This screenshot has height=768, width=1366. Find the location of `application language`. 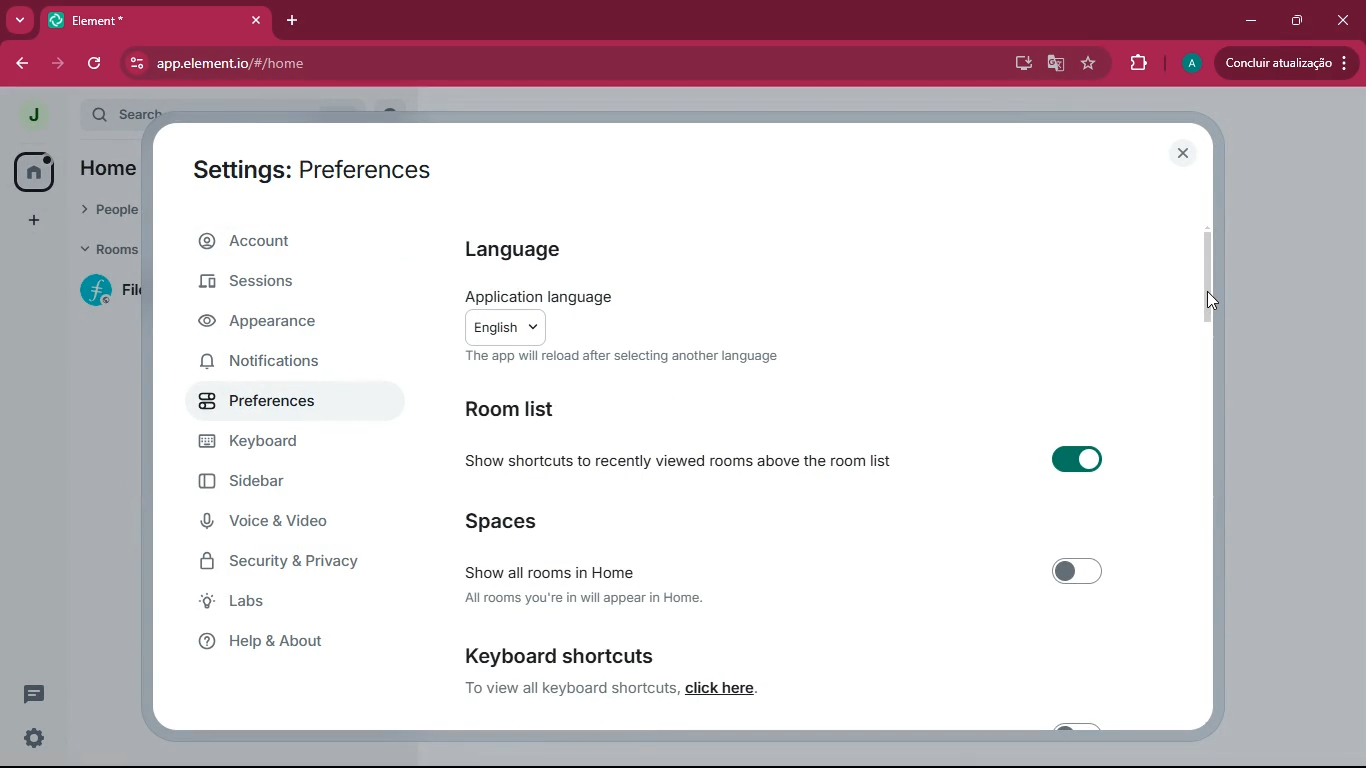

application language is located at coordinates (552, 294).